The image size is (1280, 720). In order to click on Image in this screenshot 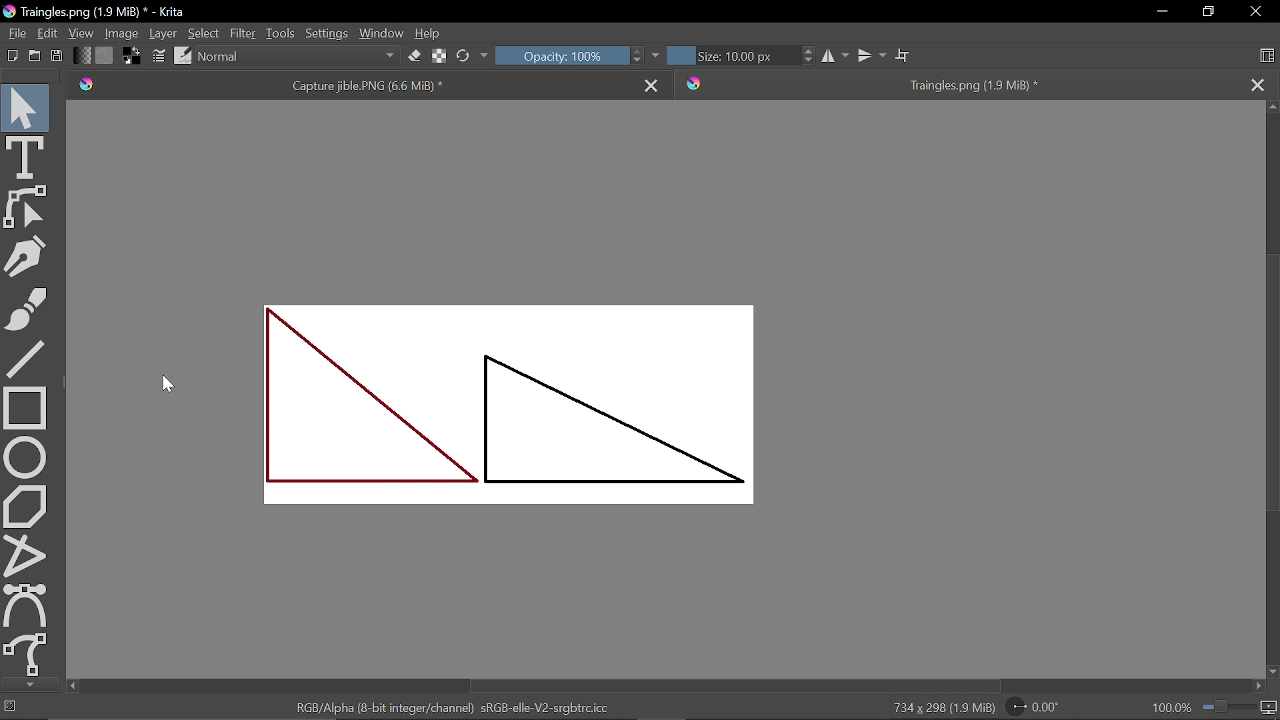, I will do `click(123, 33)`.